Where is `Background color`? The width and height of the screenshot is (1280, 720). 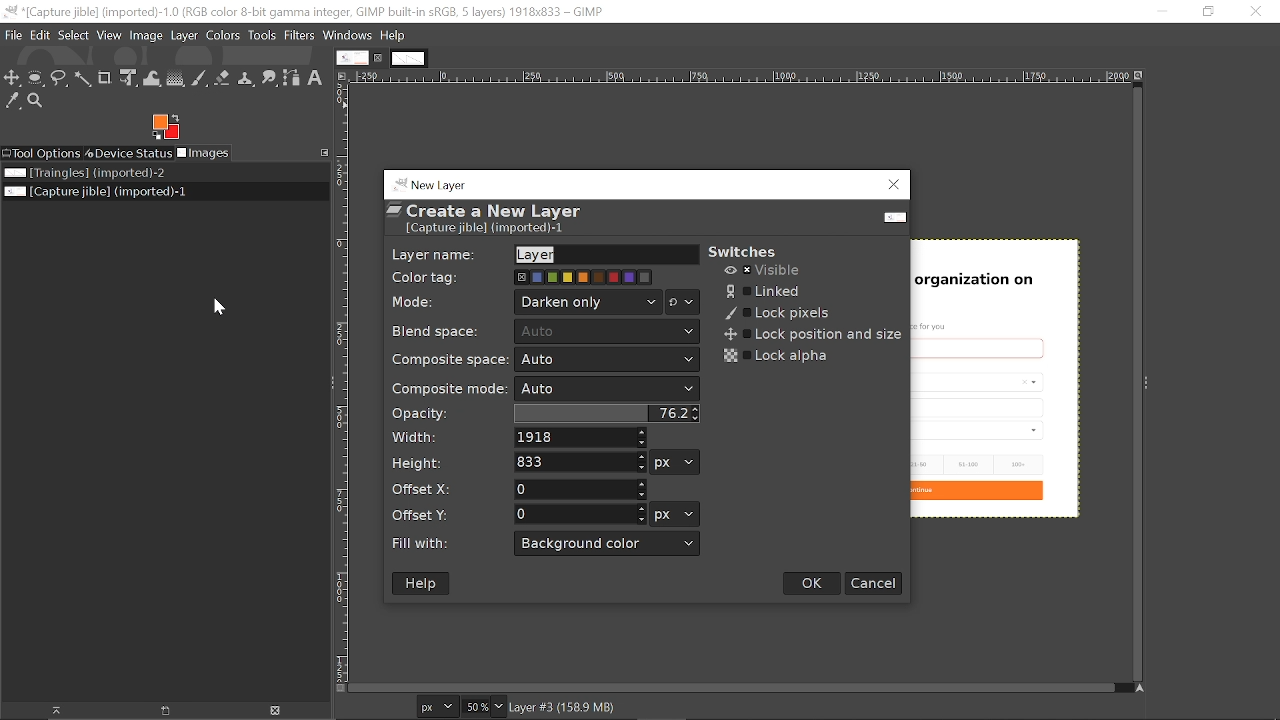 Background color is located at coordinates (608, 544).